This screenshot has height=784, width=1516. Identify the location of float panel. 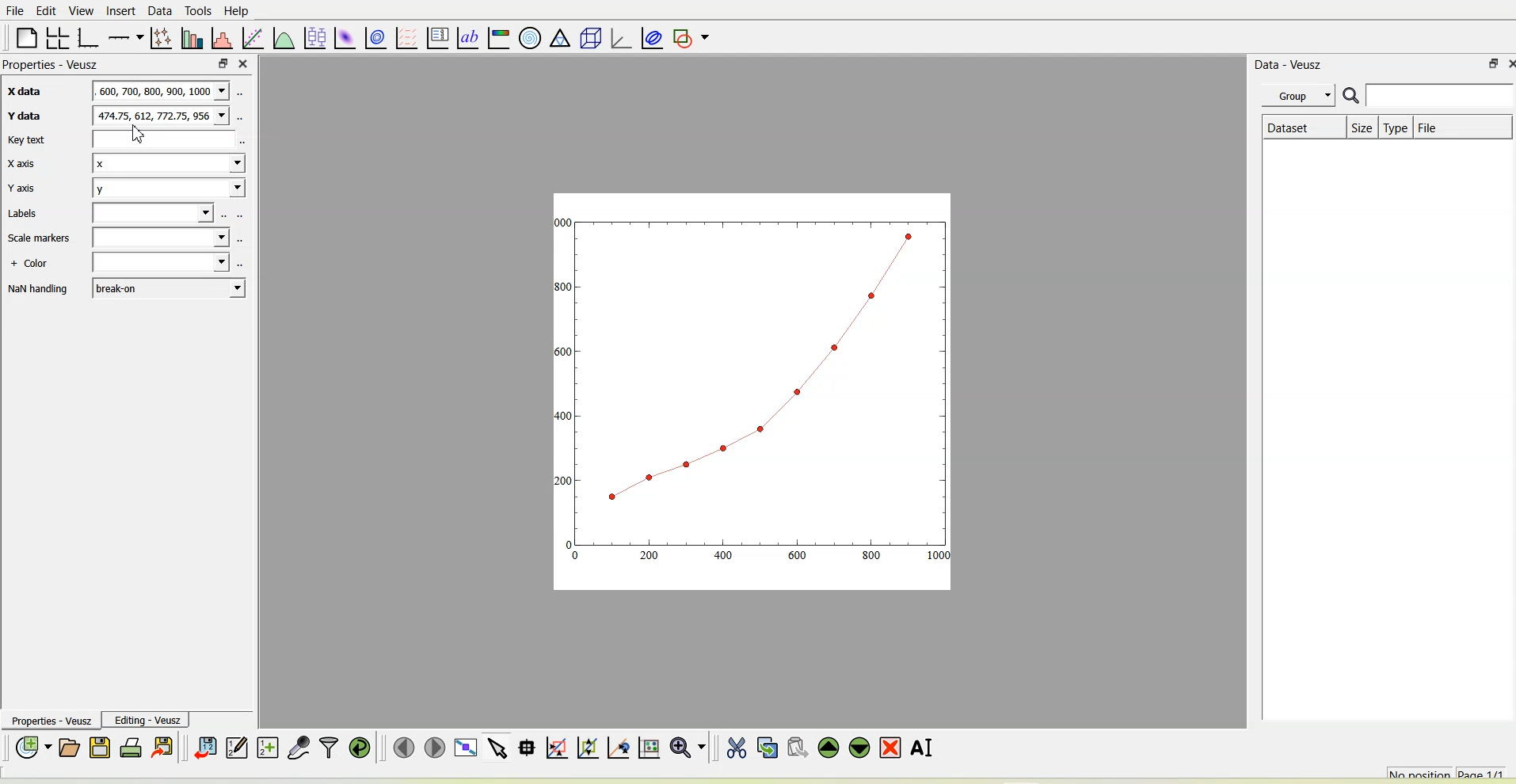
(224, 63).